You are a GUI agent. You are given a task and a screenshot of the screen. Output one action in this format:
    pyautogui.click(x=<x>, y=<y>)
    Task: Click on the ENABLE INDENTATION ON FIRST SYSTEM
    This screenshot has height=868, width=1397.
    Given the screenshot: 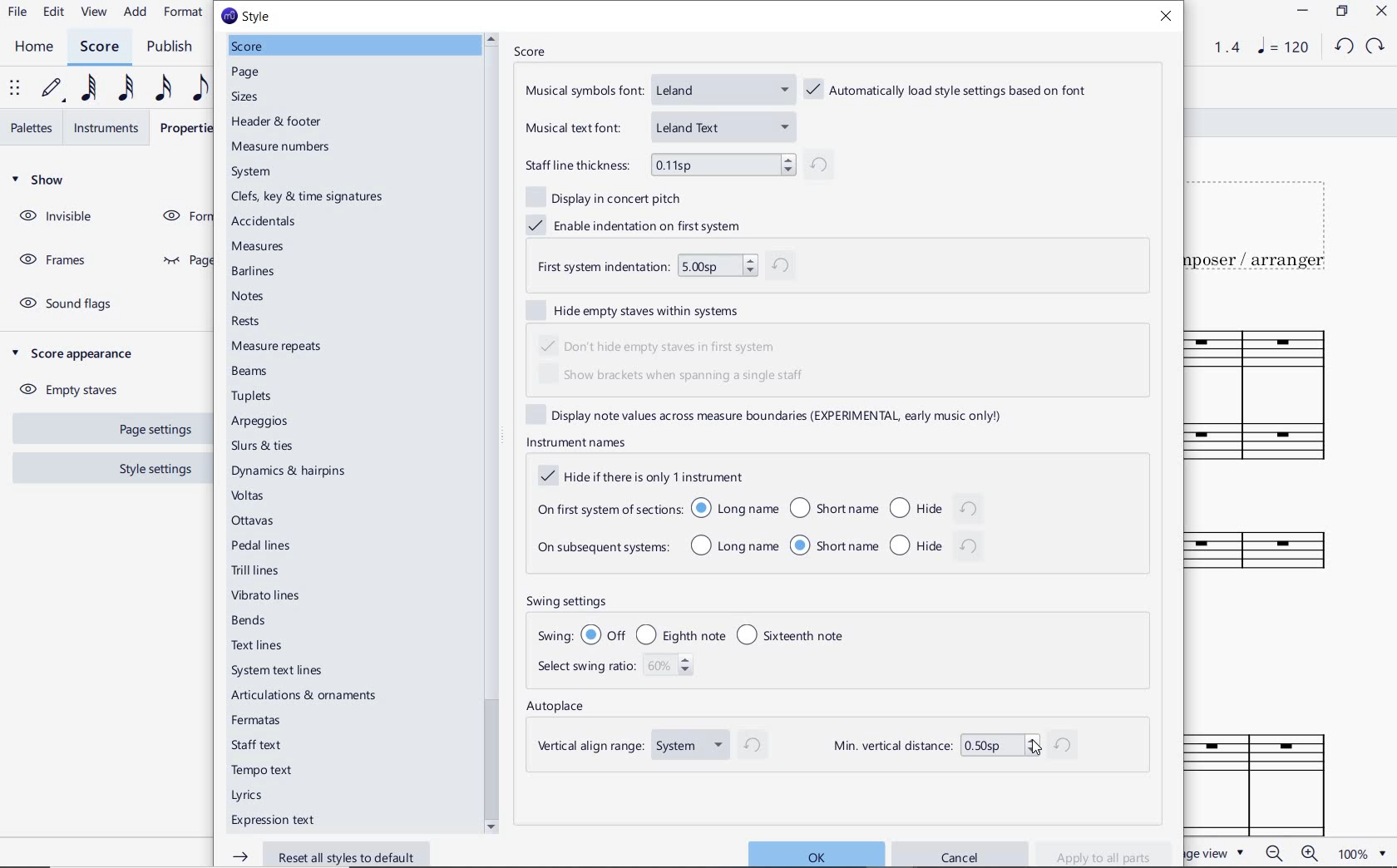 What is the action you would take?
    pyautogui.click(x=641, y=223)
    